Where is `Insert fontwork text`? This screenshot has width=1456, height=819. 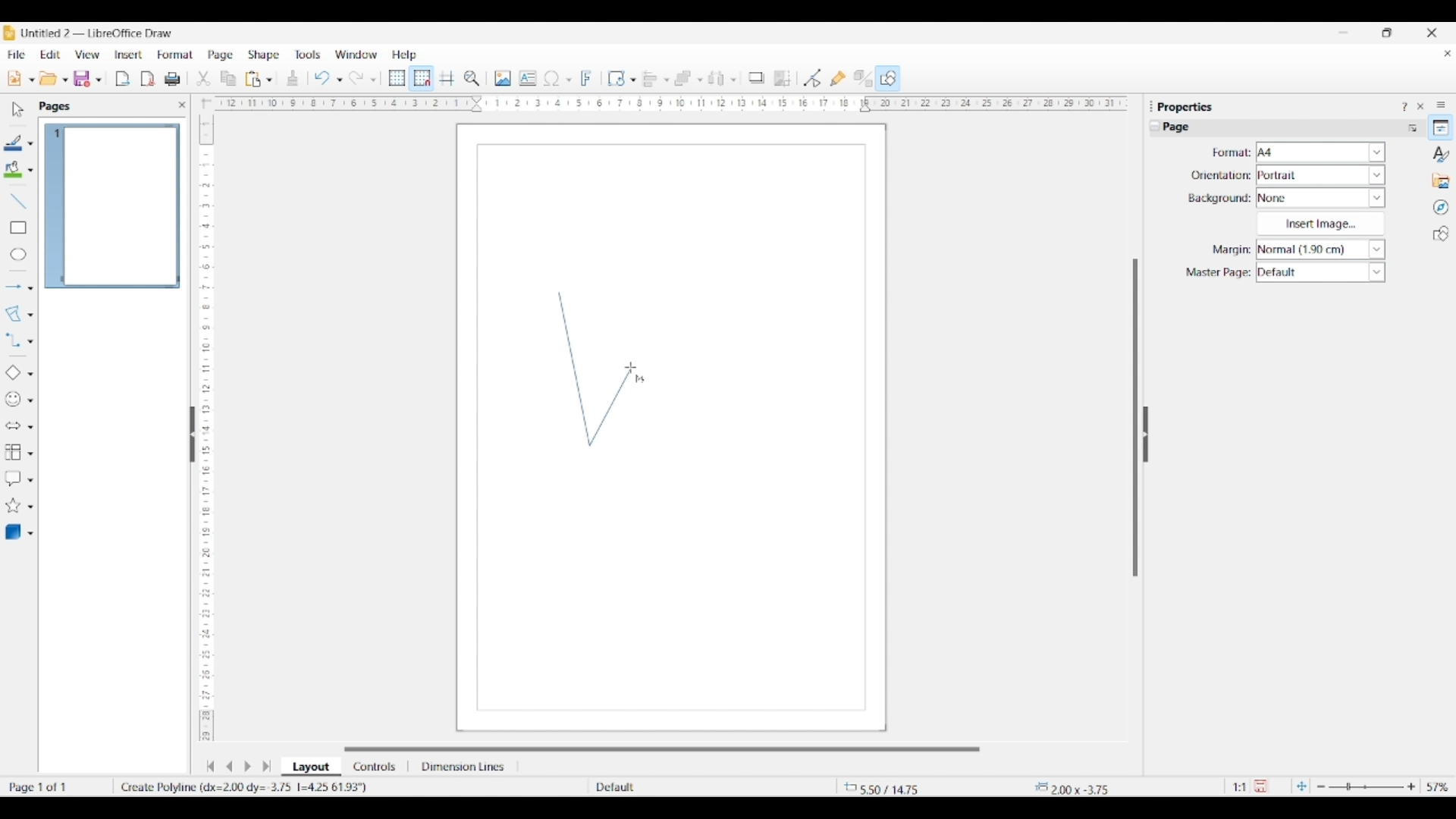 Insert fontwork text is located at coordinates (587, 78).